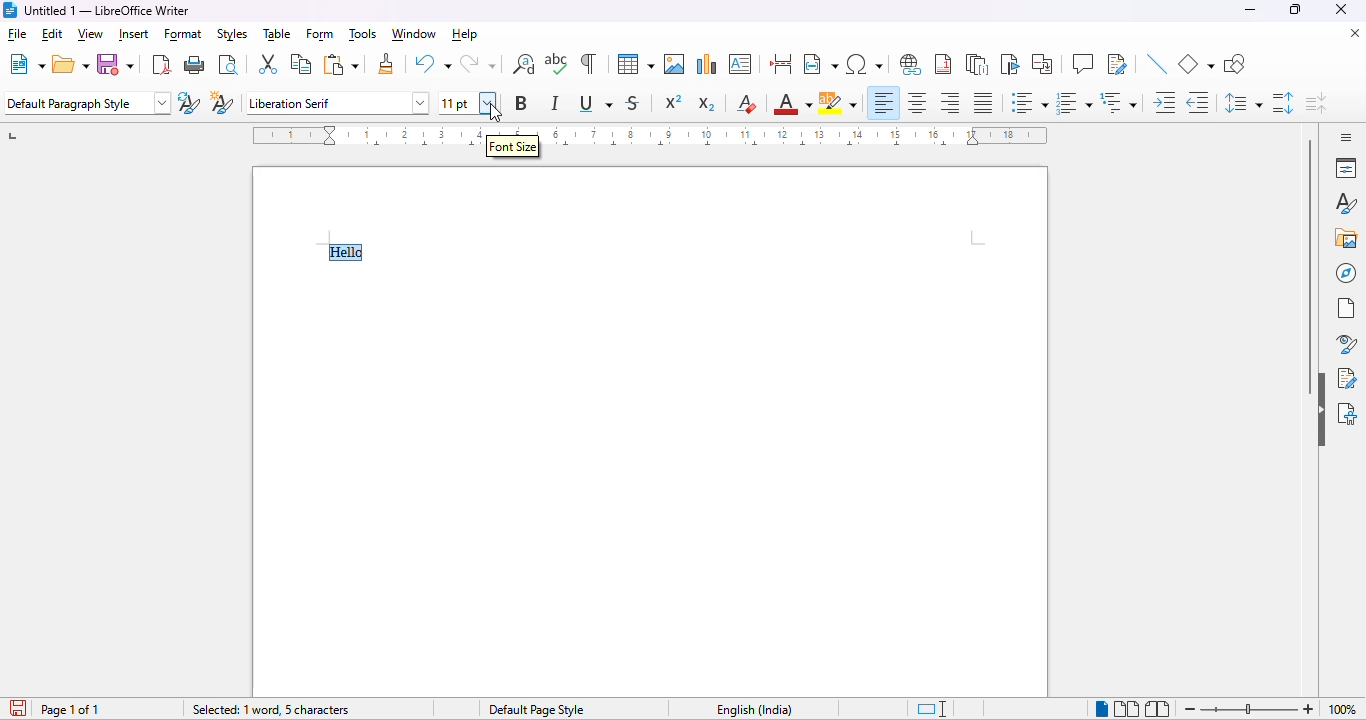  What do you see at coordinates (1284, 104) in the screenshot?
I see `increase paragraph spacing` at bounding box center [1284, 104].